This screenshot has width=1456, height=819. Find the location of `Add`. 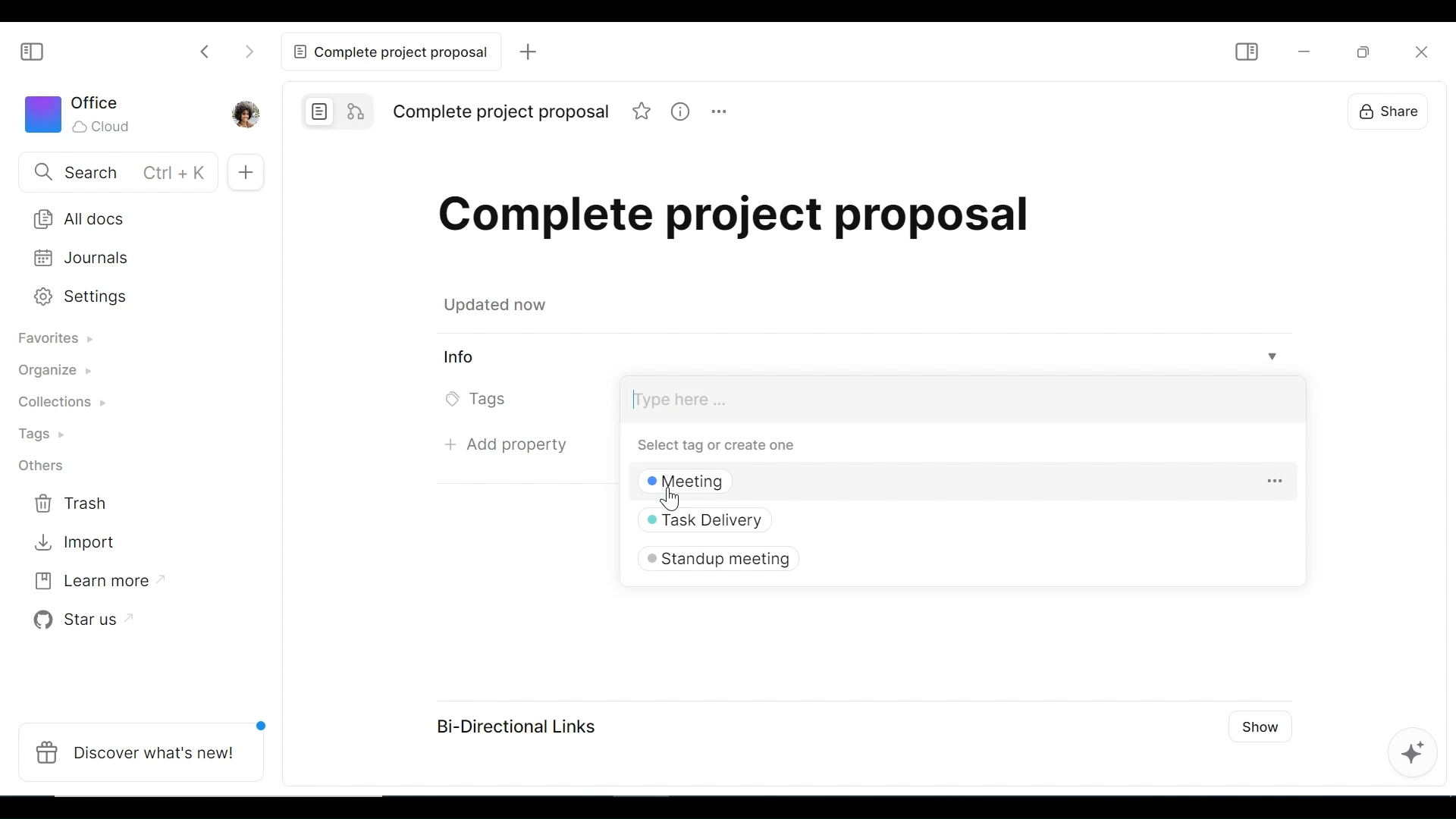

Add is located at coordinates (529, 52).